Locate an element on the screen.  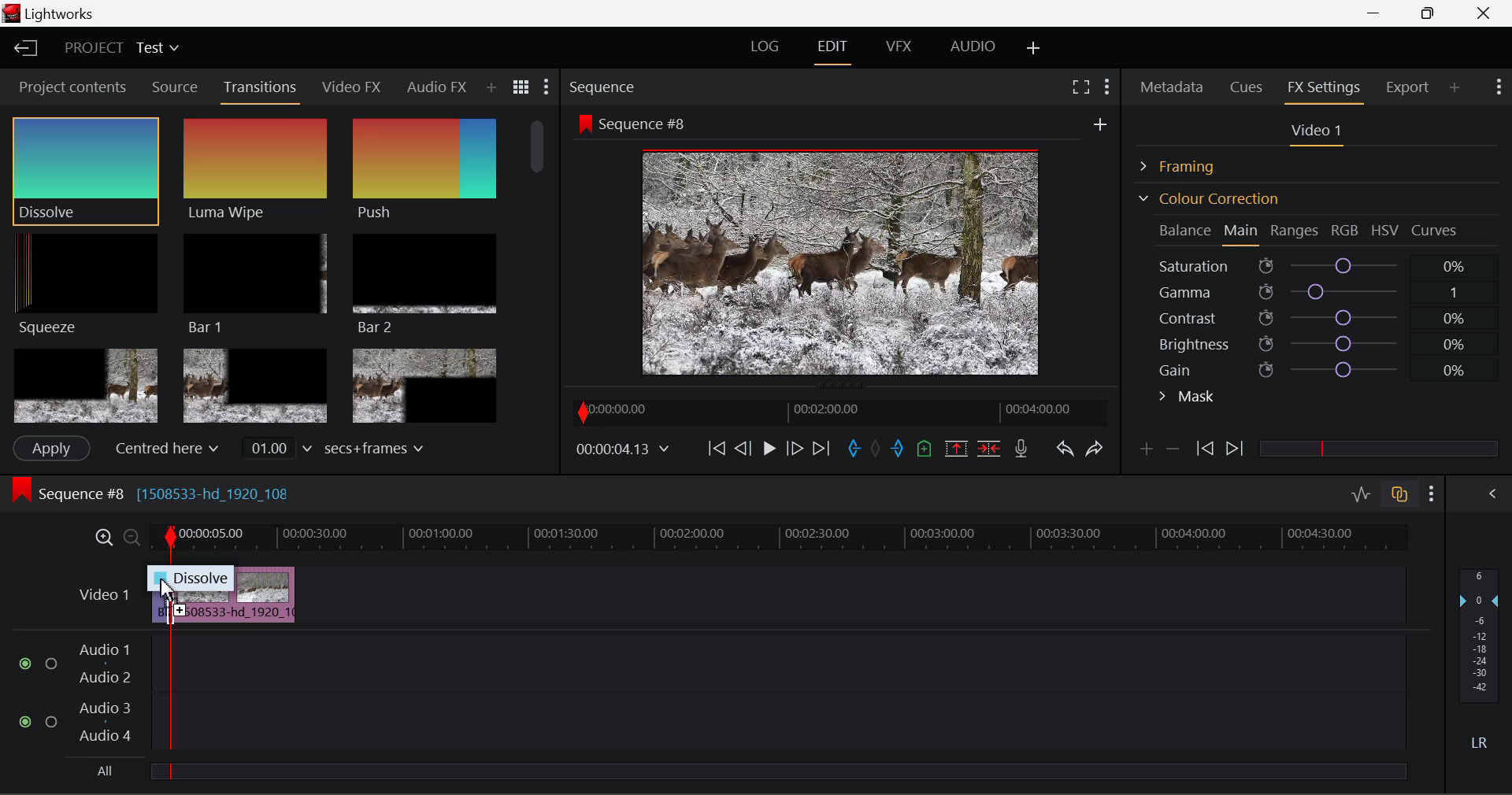
Mark Out is located at coordinates (899, 449).